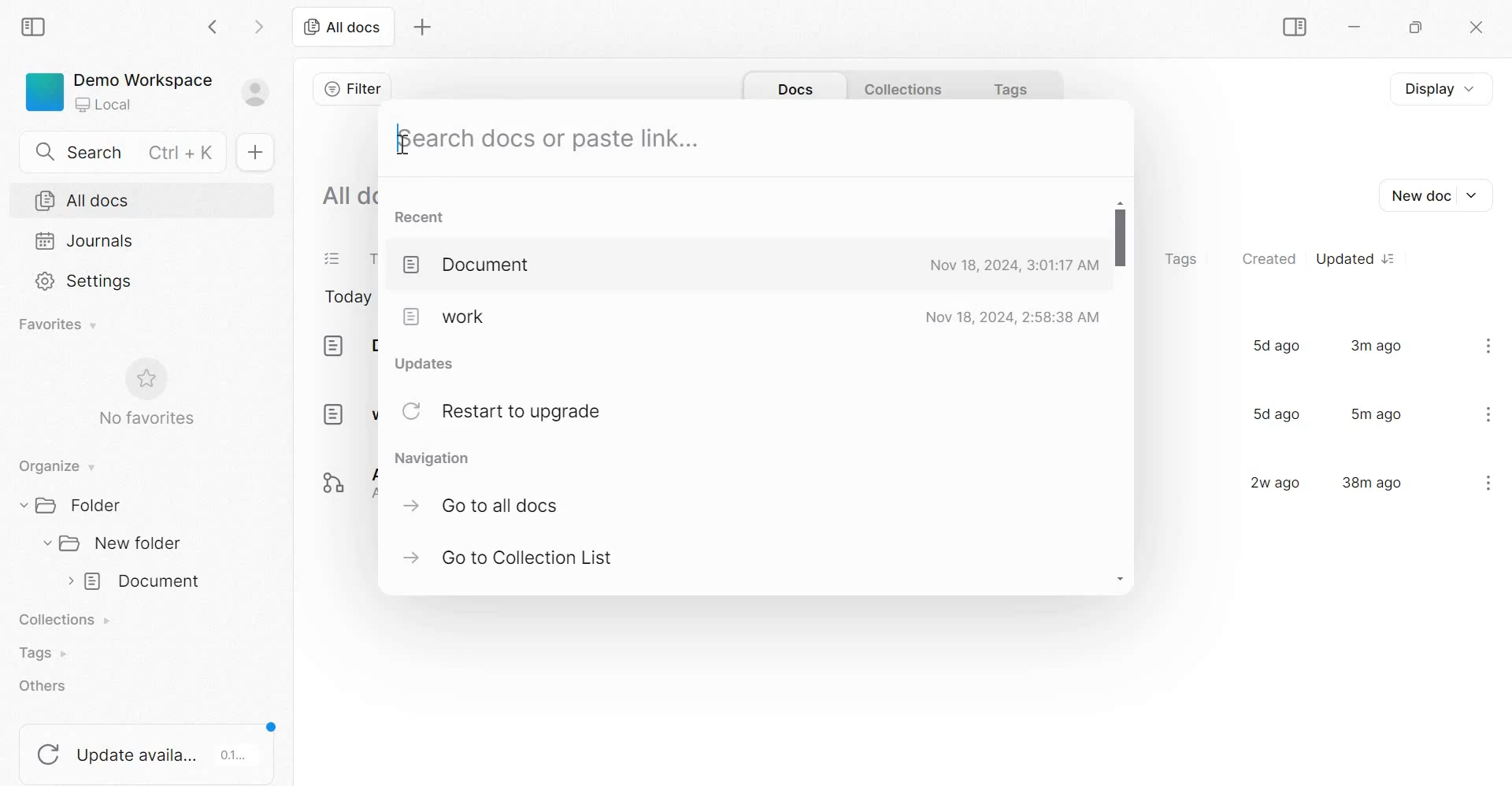 The height and width of the screenshot is (786, 1512). I want to click on All docs, so click(342, 26).